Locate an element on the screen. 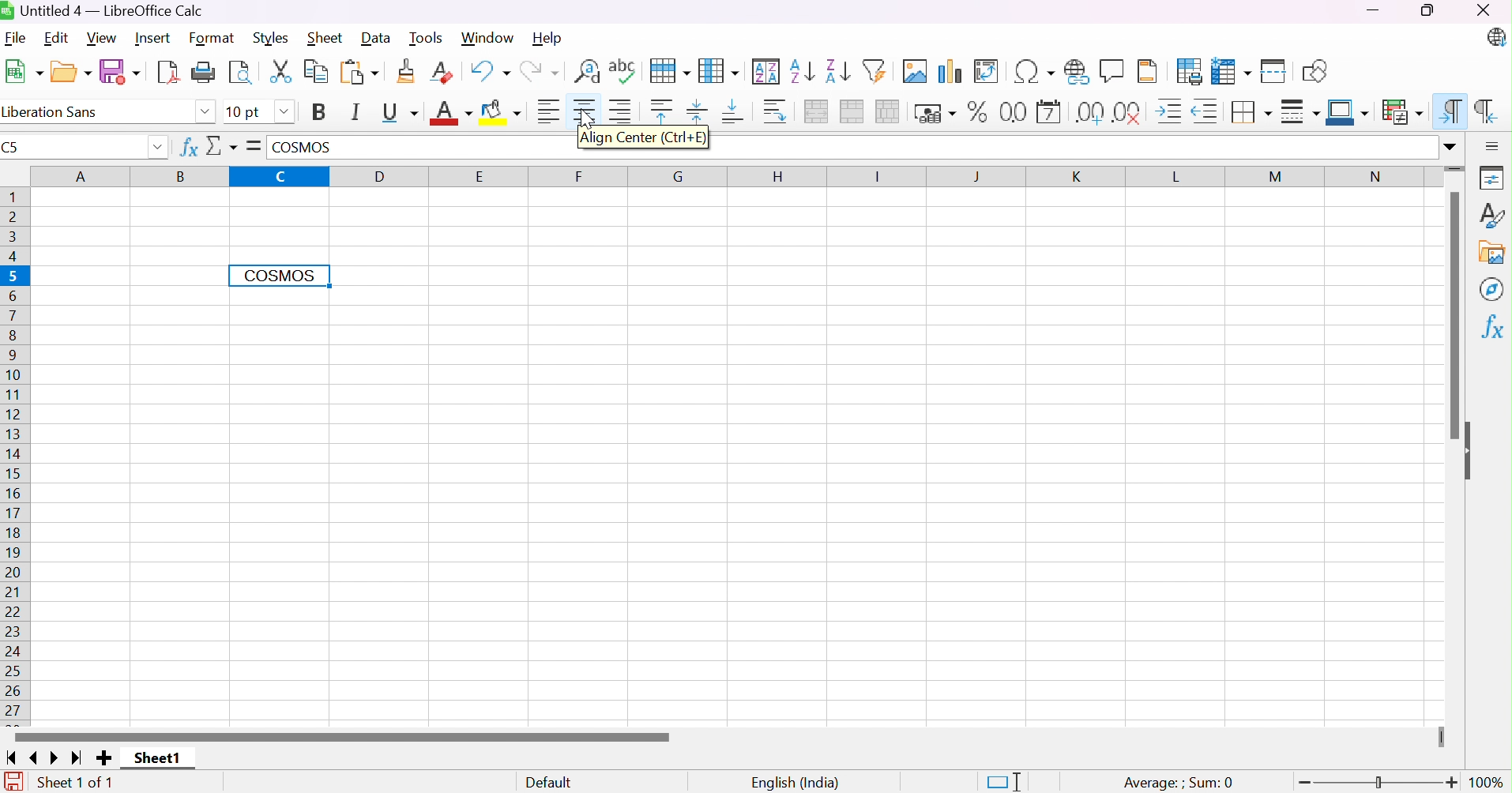 The image size is (1512, 793). LibreOffice Update Available is located at coordinates (1495, 37).